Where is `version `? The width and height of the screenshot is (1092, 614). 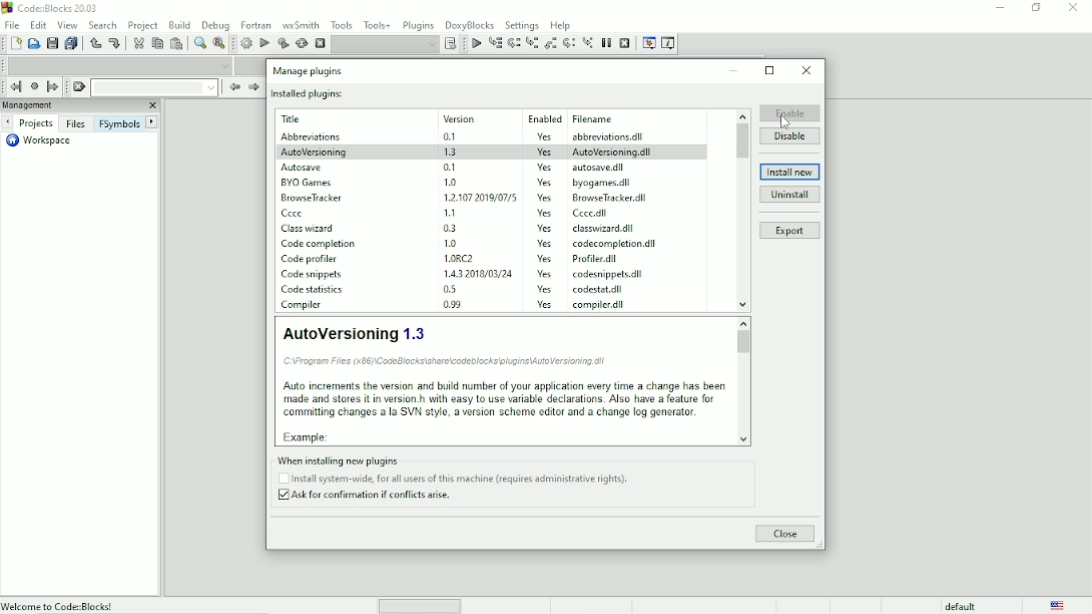 version  is located at coordinates (450, 182).